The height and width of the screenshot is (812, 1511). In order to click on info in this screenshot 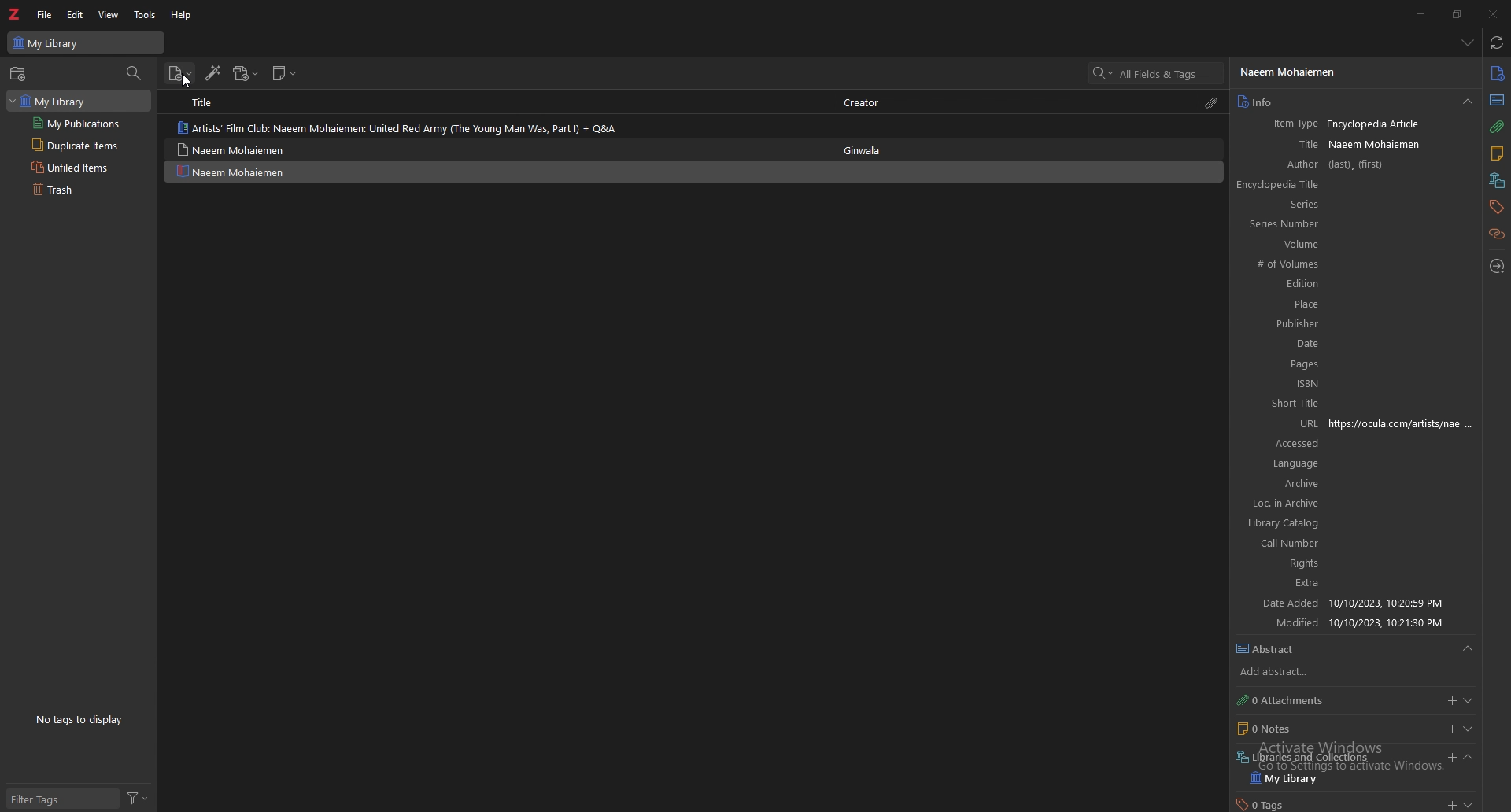, I will do `click(1342, 102)`.